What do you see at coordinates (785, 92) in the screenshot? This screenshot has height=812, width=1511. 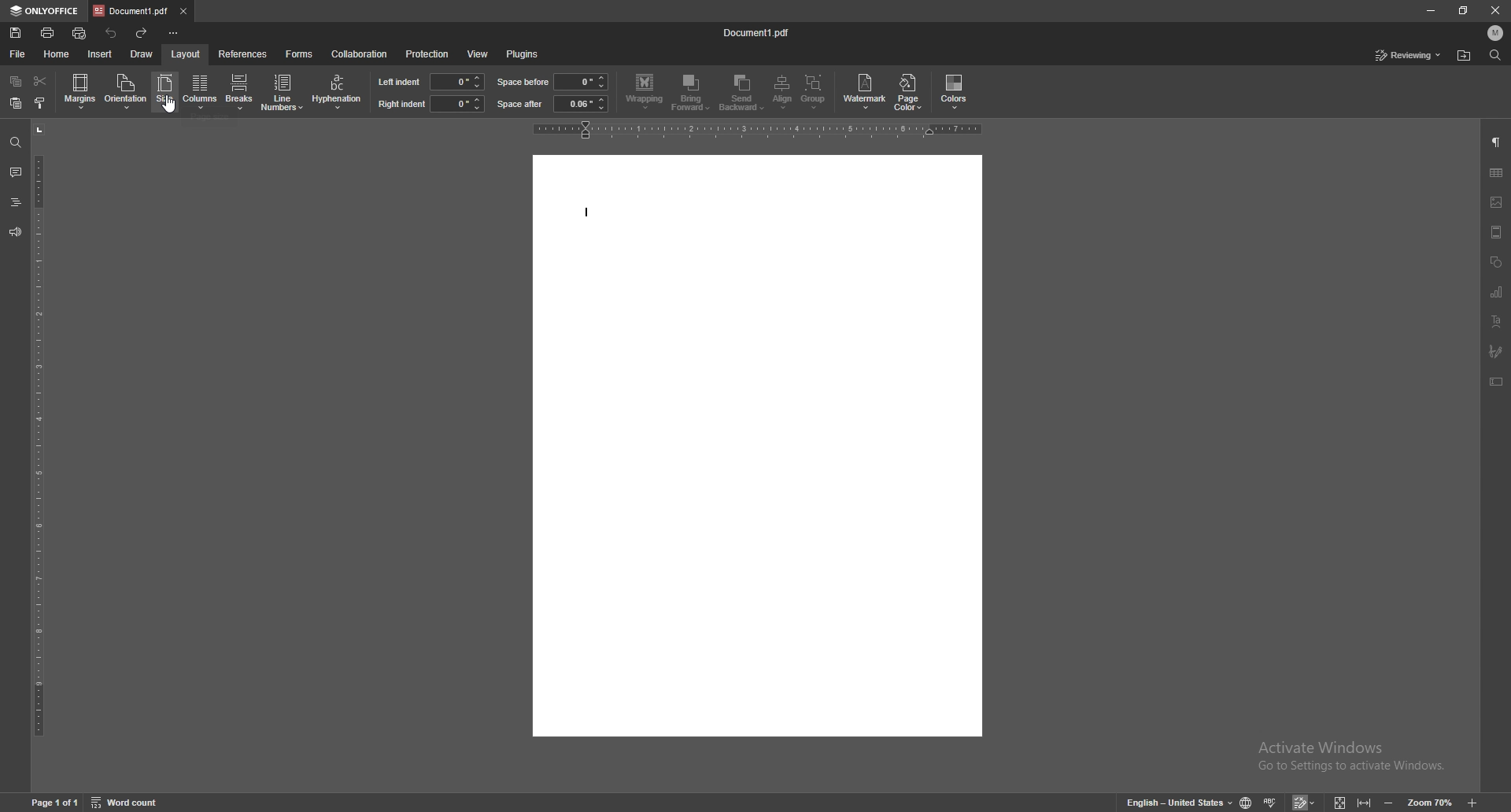 I see `align` at bounding box center [785, 92].